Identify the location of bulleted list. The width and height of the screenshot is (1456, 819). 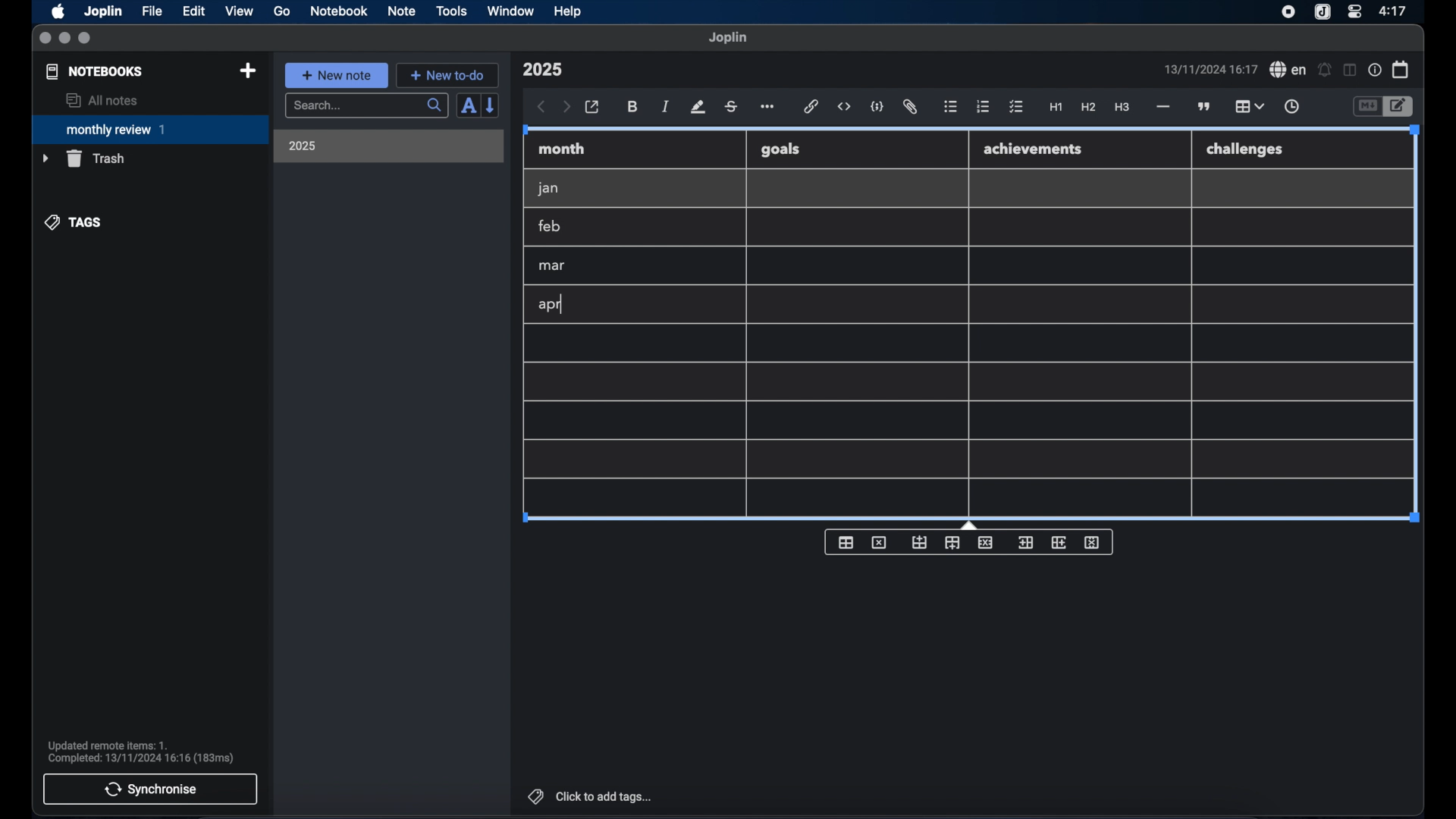
(950, 107).